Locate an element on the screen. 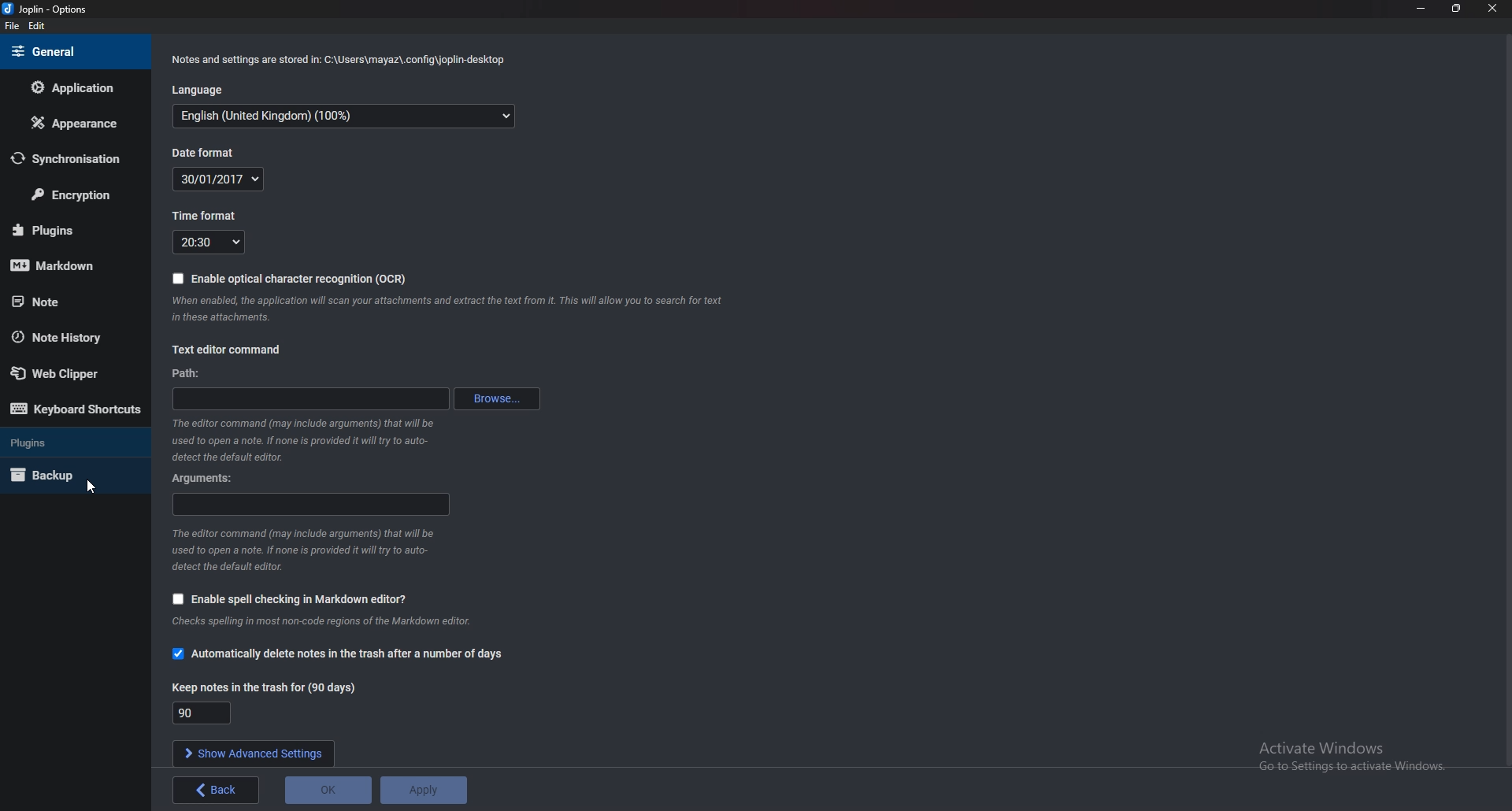  back is located at coordinates (217, 790).